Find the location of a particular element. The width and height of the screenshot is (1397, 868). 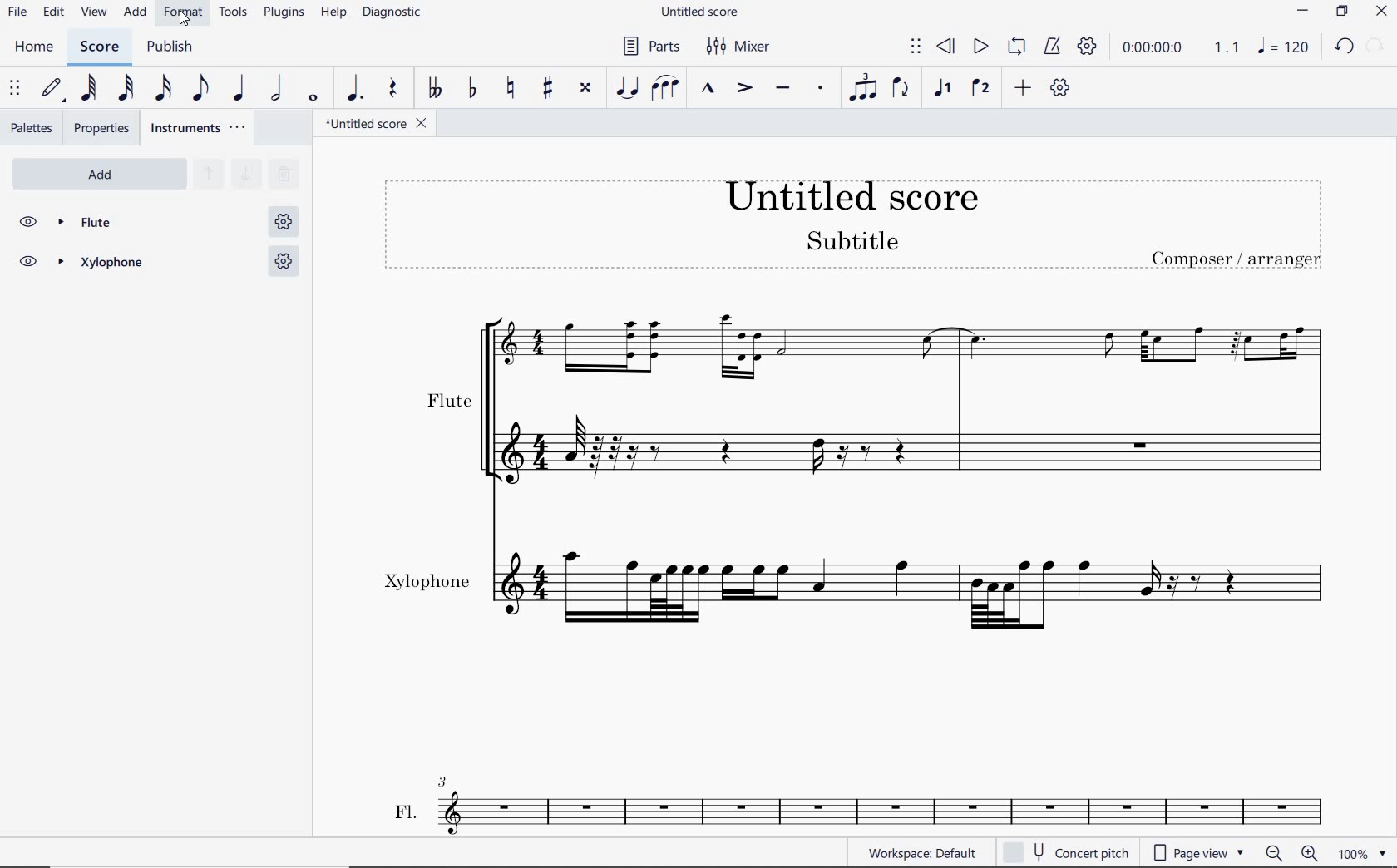

FLIP DIRECTION is located at coordinates (901, 91).